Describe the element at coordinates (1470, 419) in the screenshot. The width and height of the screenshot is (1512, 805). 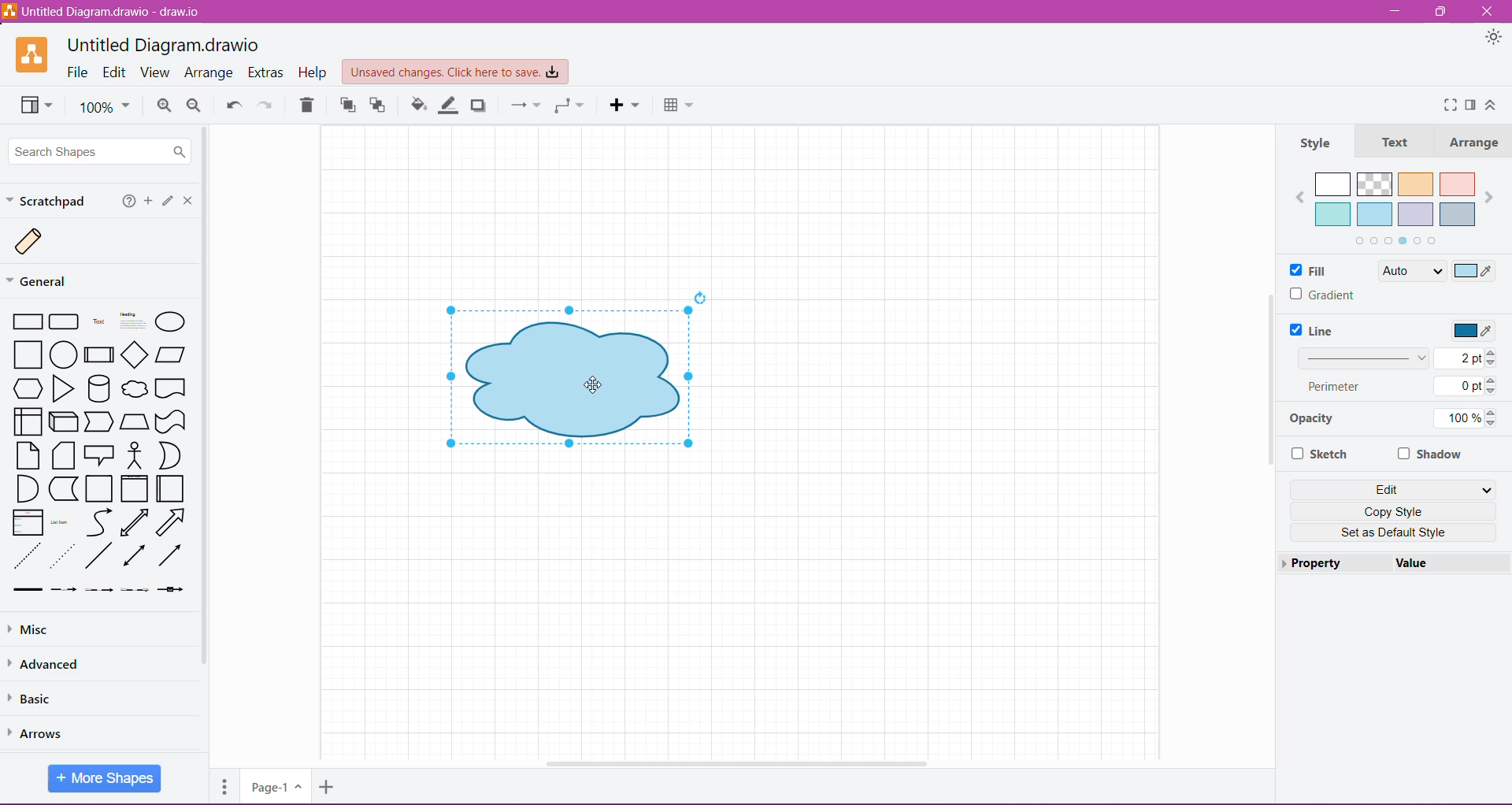
I see `100%` at that location.